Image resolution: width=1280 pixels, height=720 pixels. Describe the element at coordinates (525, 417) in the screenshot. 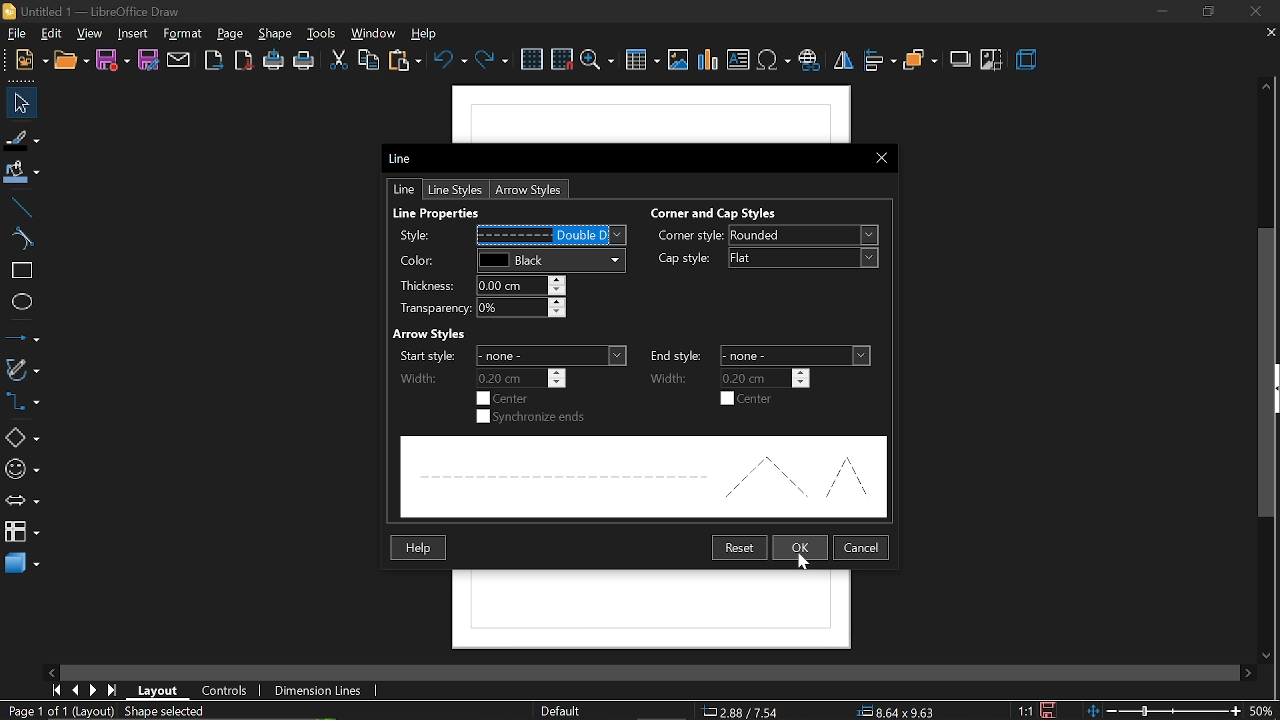

I see `synchronize ends` at that location.